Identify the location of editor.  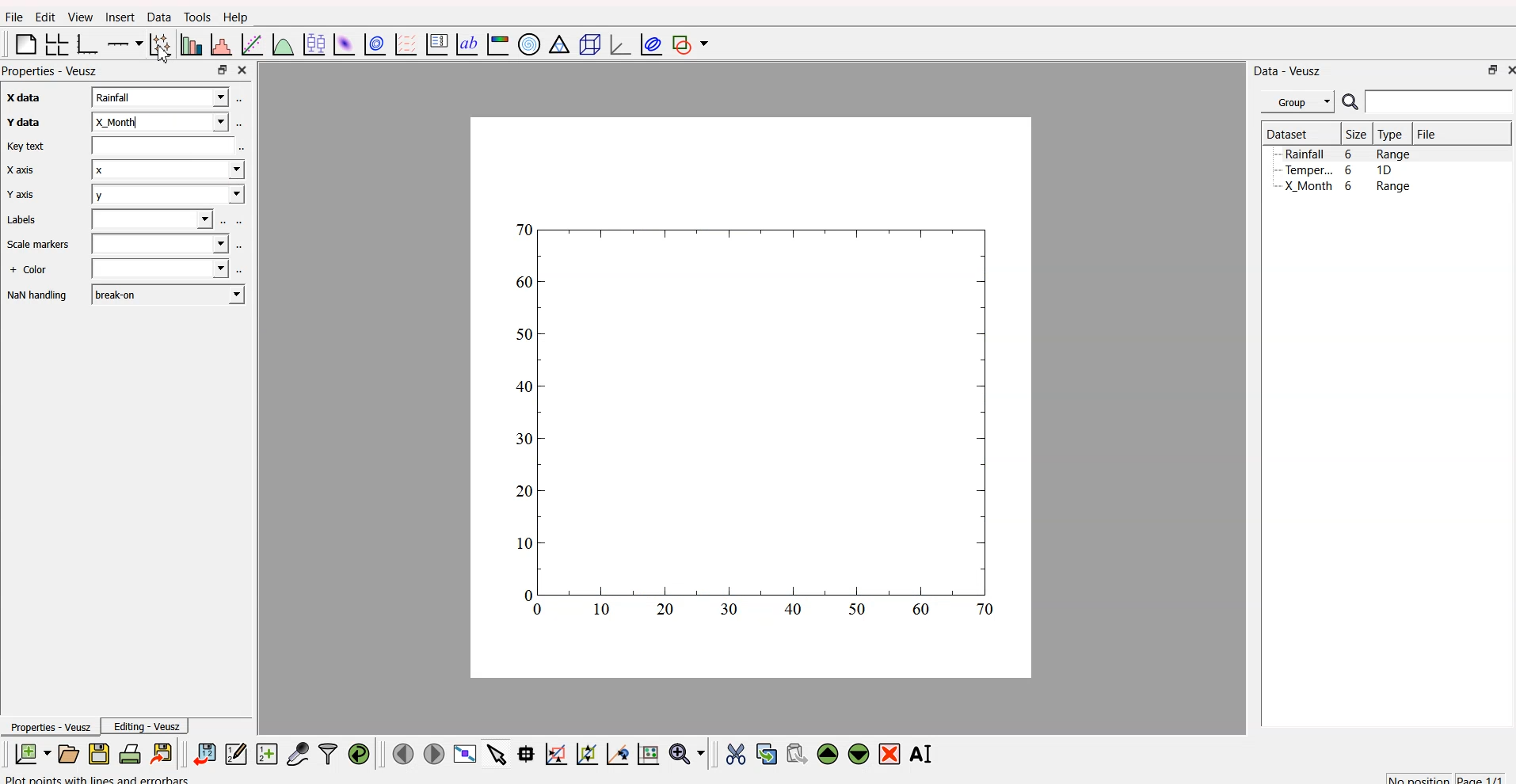
(236, 752).